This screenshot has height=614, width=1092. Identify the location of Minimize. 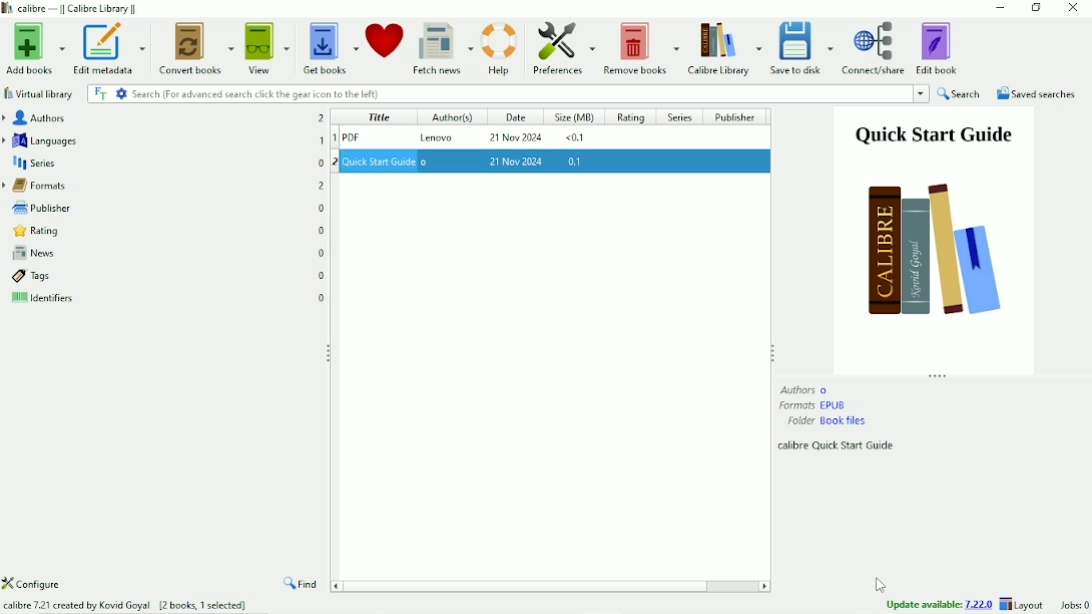
(1001, 8).